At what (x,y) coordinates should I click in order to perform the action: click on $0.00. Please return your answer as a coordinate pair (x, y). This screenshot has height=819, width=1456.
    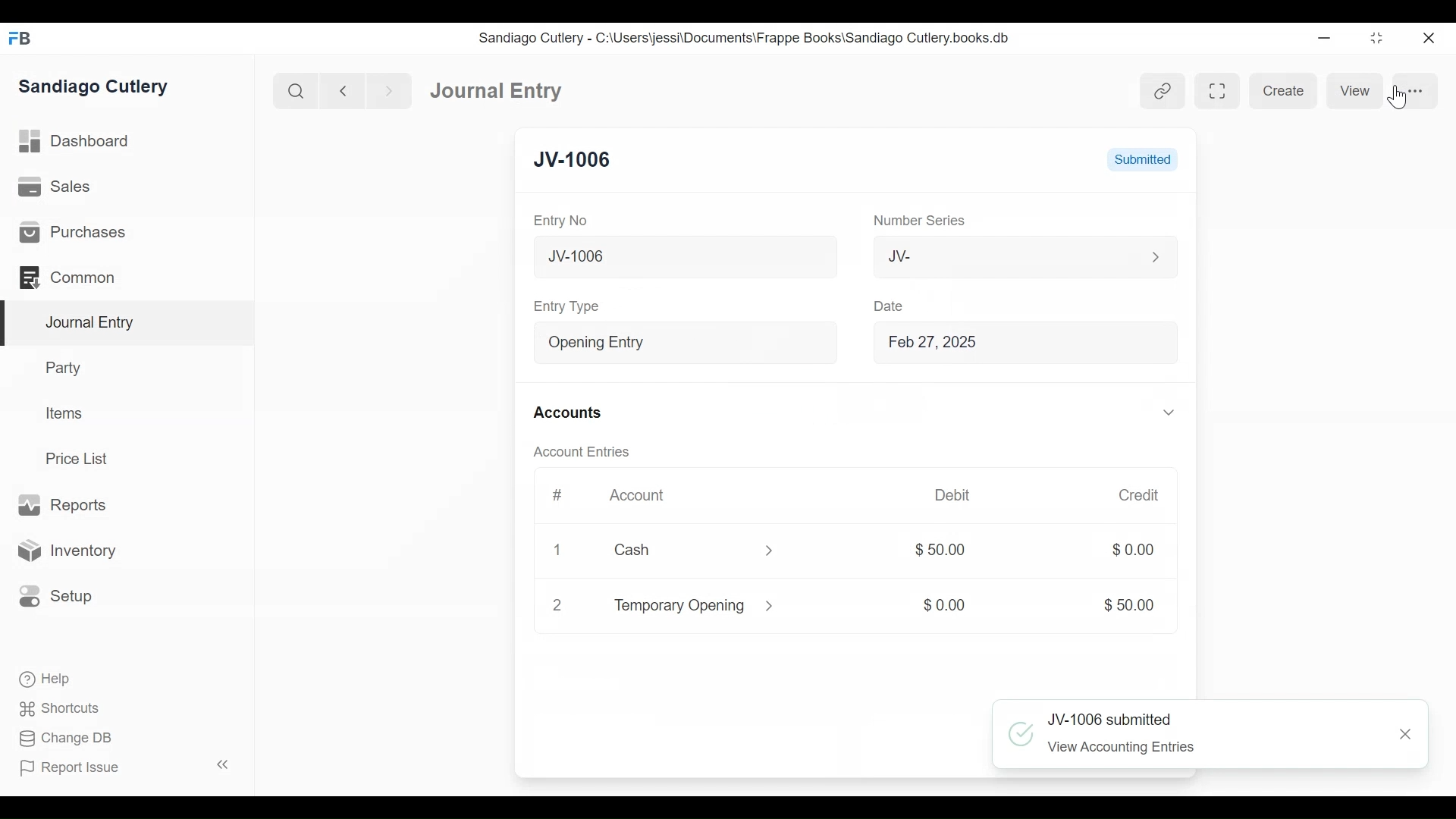
    Looking at the image, I should click on (1122, 550).